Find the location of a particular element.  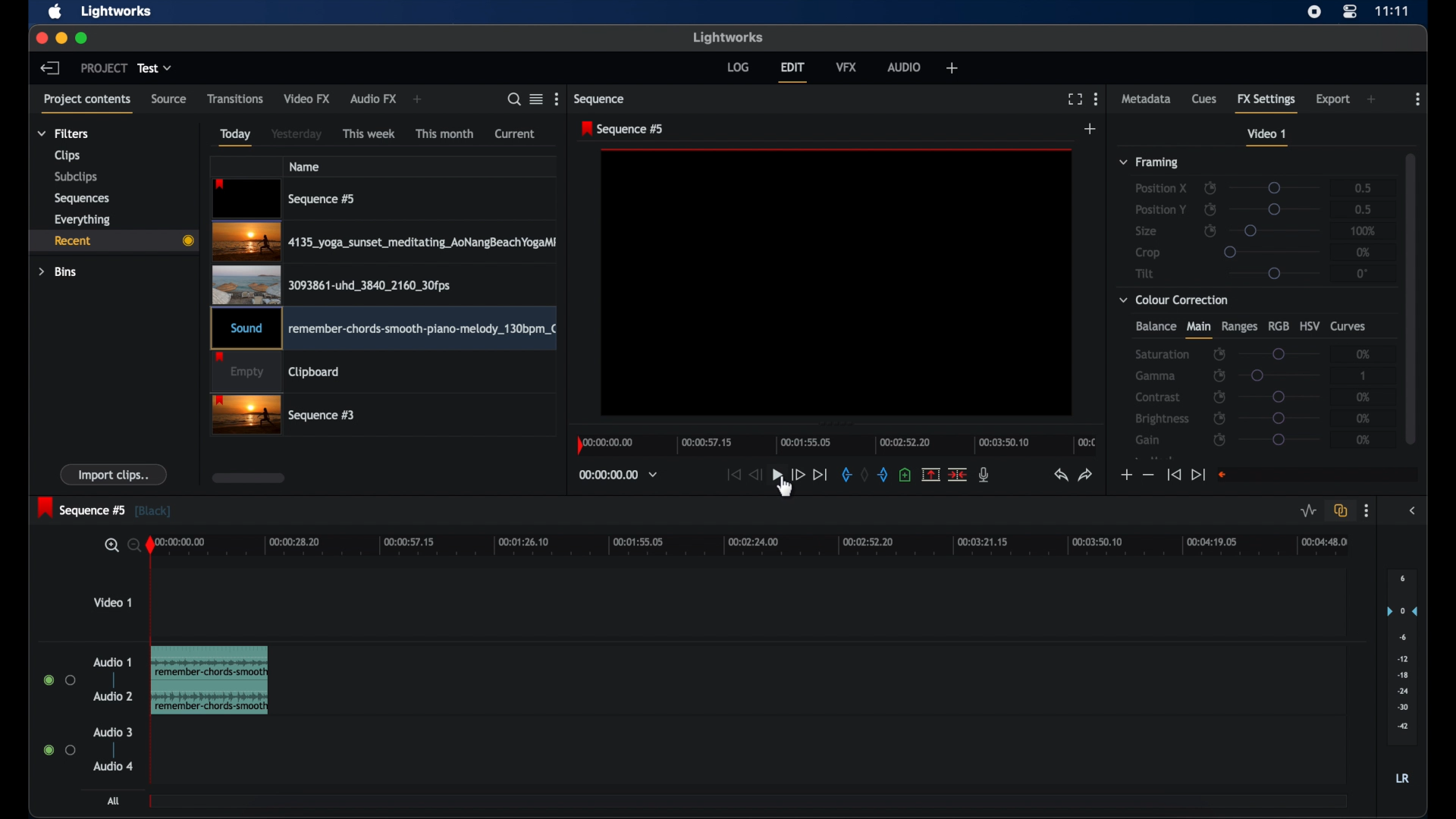

radio buttons is located at coordinates (59, 749).